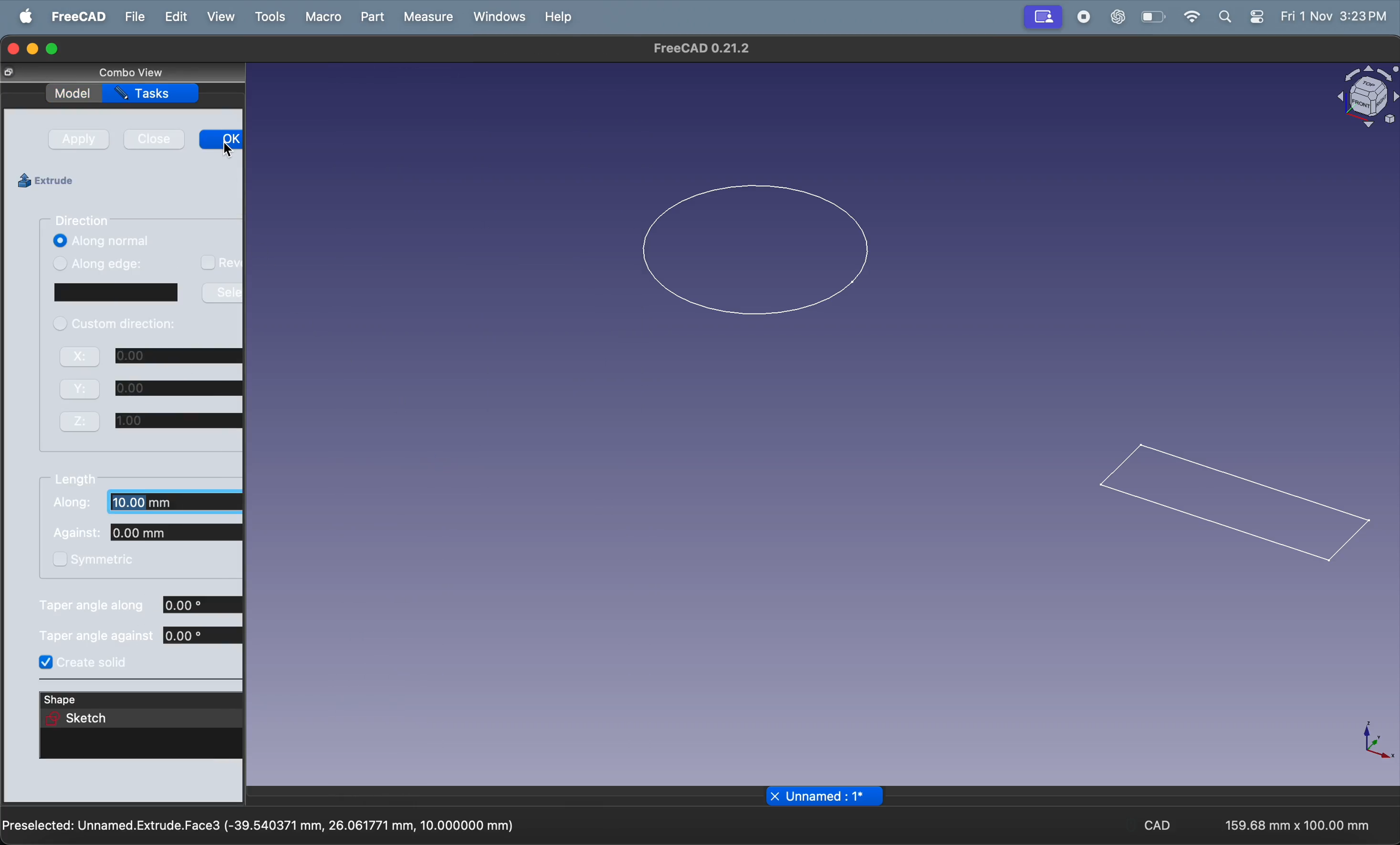 The image size is (1400, 845). Describe the element at coordinates (84, 719) in the screenshot. I see `sketch` at that location.